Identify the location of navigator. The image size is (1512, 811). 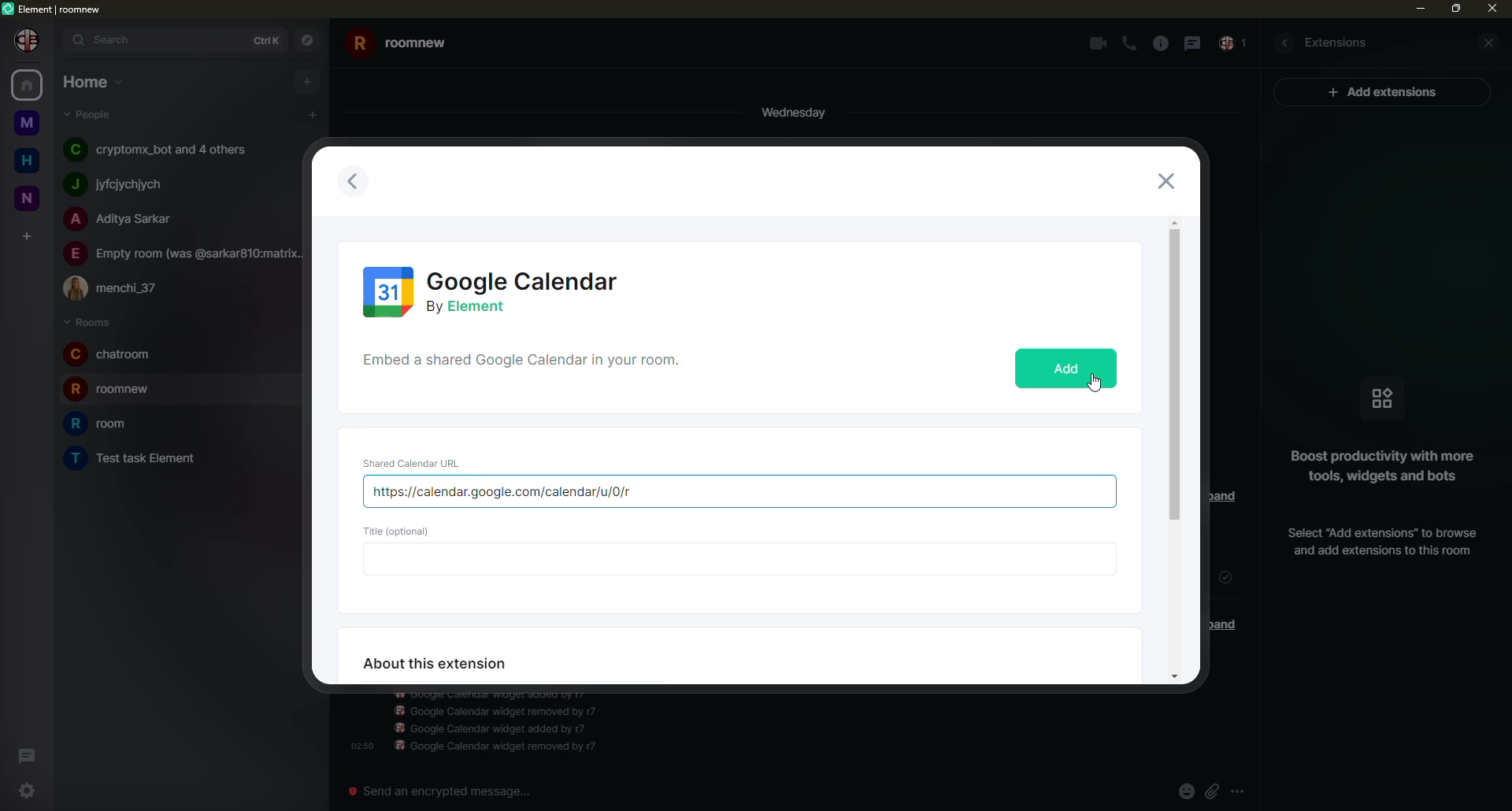
(308, 39).